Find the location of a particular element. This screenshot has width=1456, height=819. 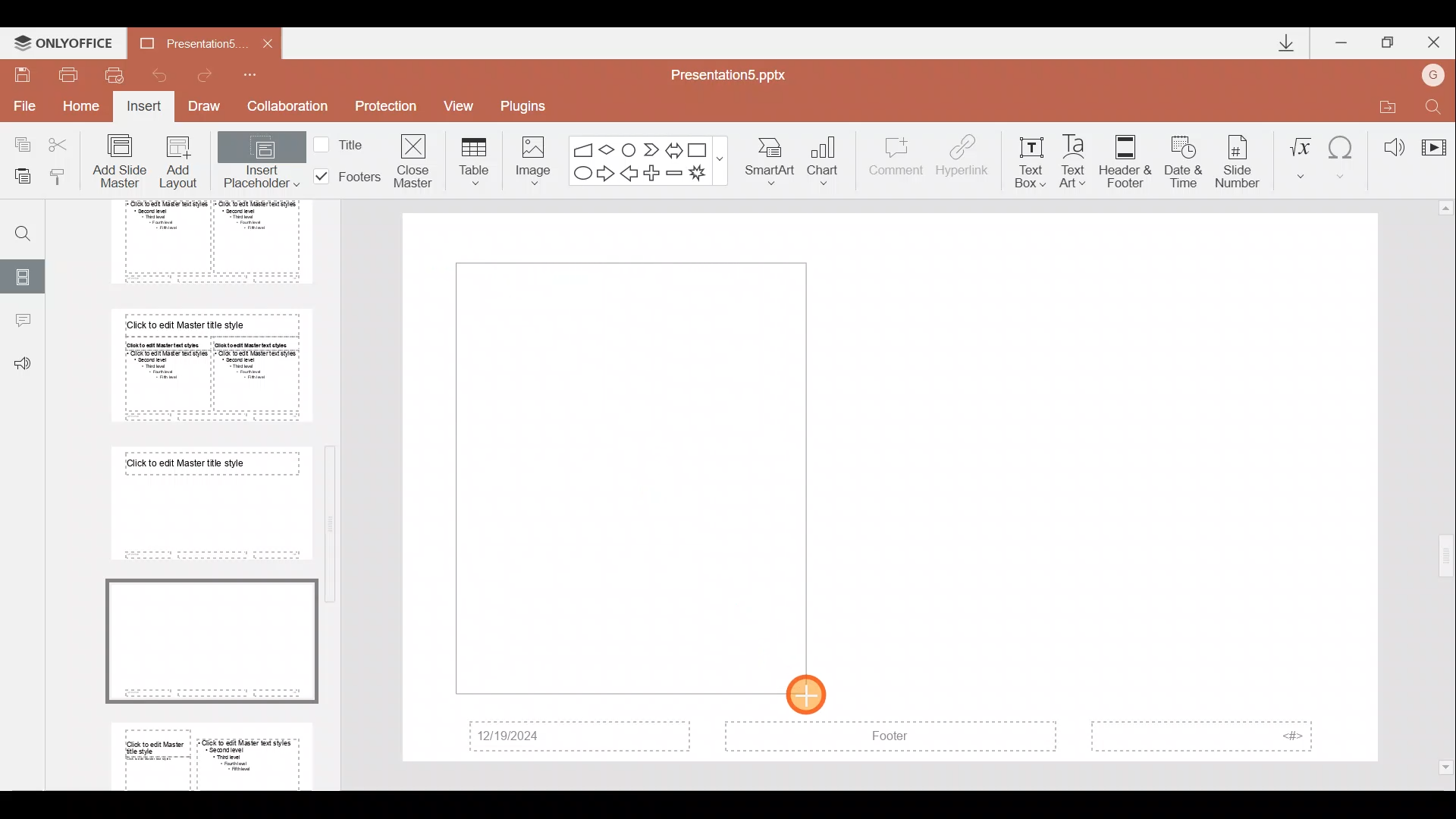

Feedback & support is located at coordinates (23, 365).